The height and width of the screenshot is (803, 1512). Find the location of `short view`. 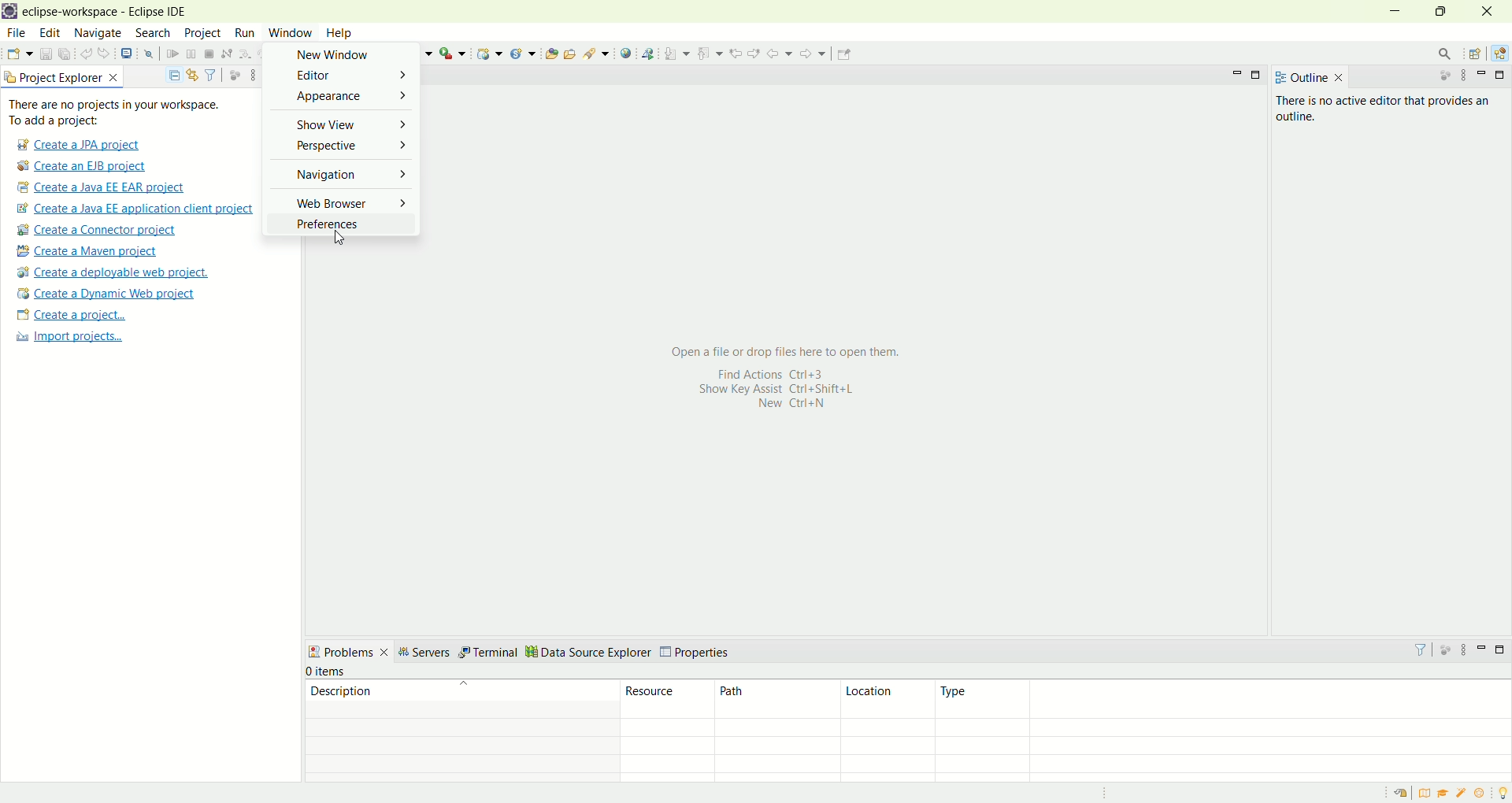

short view is located at coordinates (344, 123).